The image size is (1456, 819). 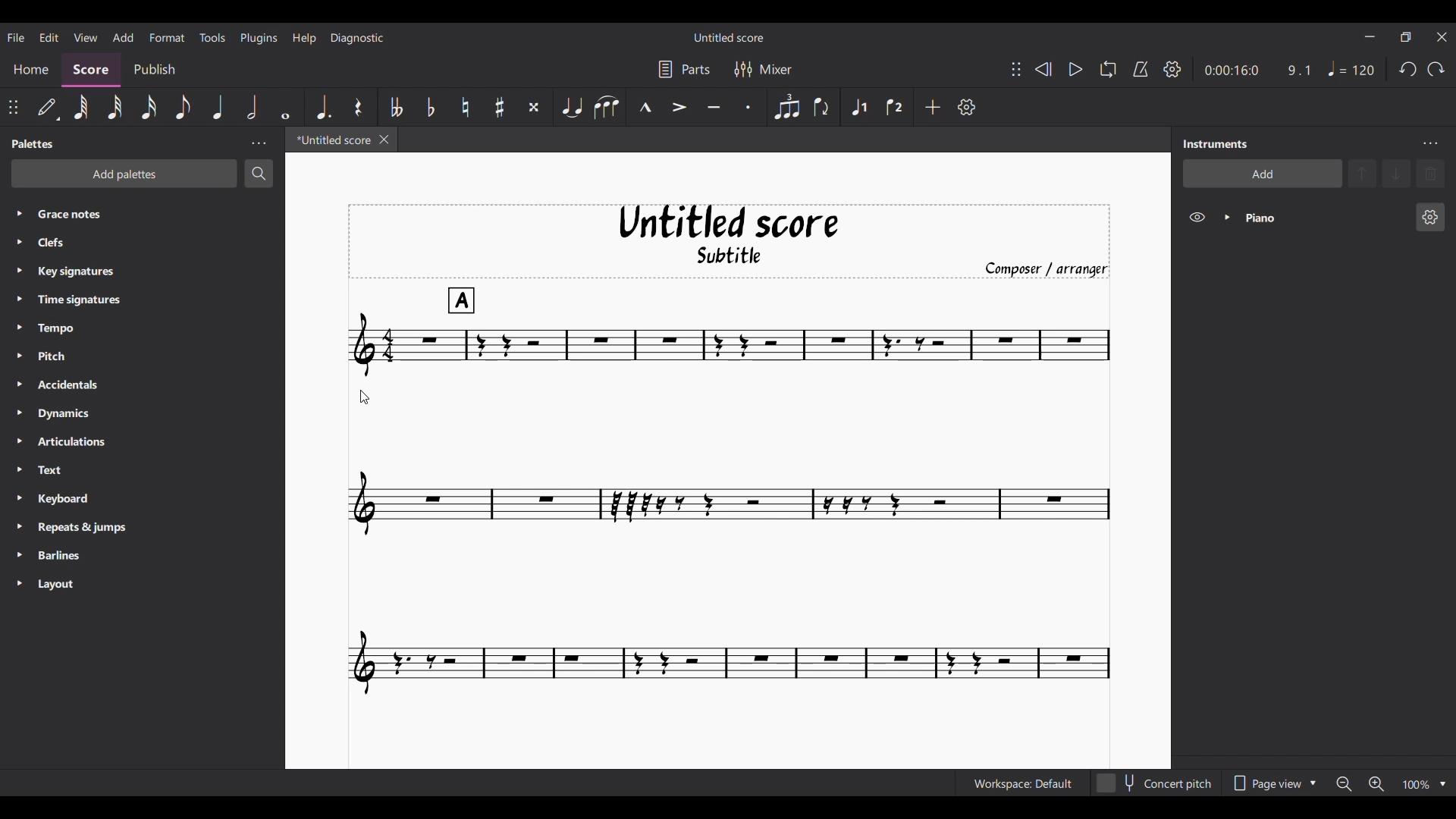 I want to click on Add, so click(x=933, y=107).